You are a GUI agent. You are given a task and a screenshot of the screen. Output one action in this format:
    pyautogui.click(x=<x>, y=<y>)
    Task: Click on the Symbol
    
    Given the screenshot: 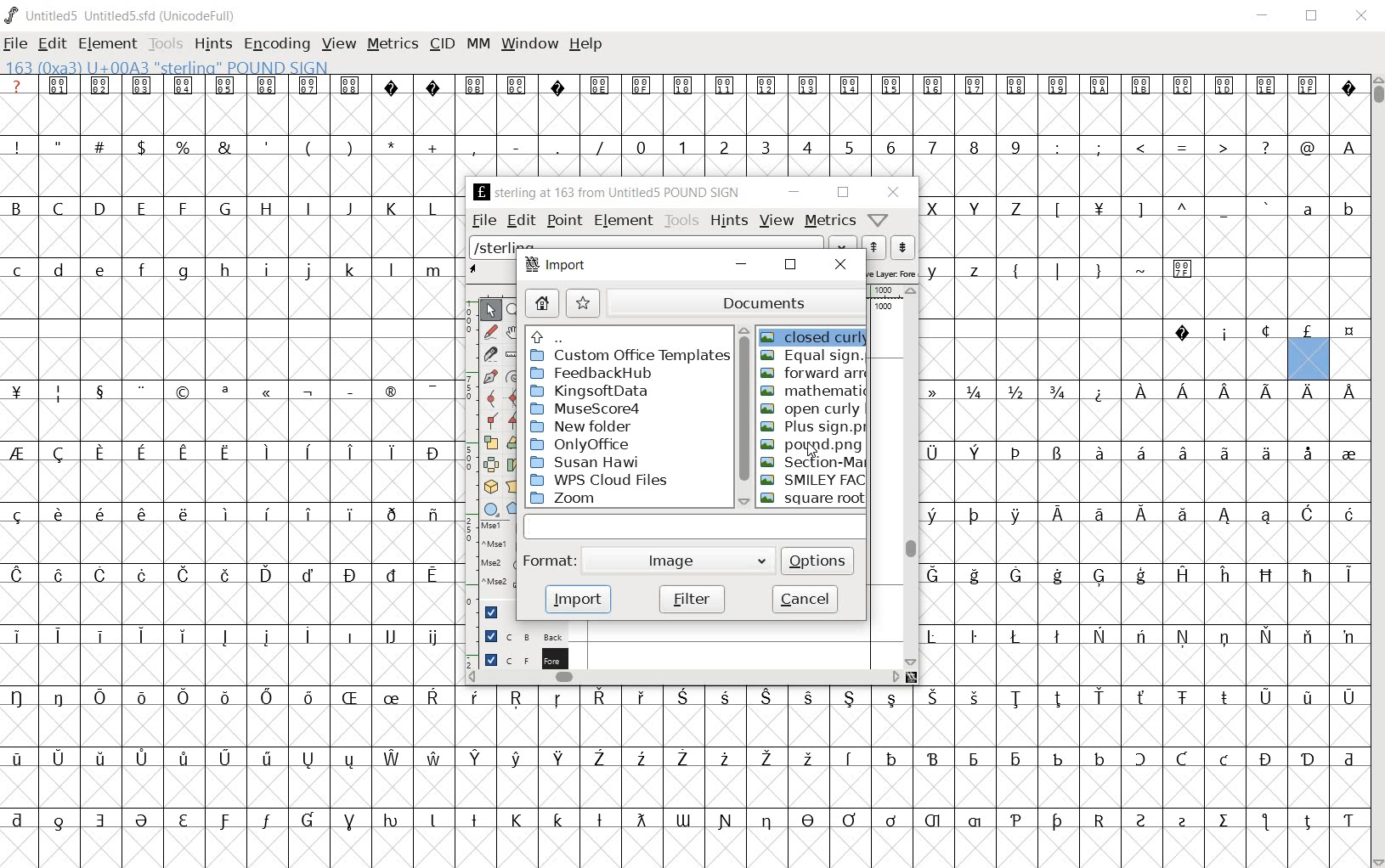 What is the action you would take?
    pyautogui.click(x=1223, y=698)
    